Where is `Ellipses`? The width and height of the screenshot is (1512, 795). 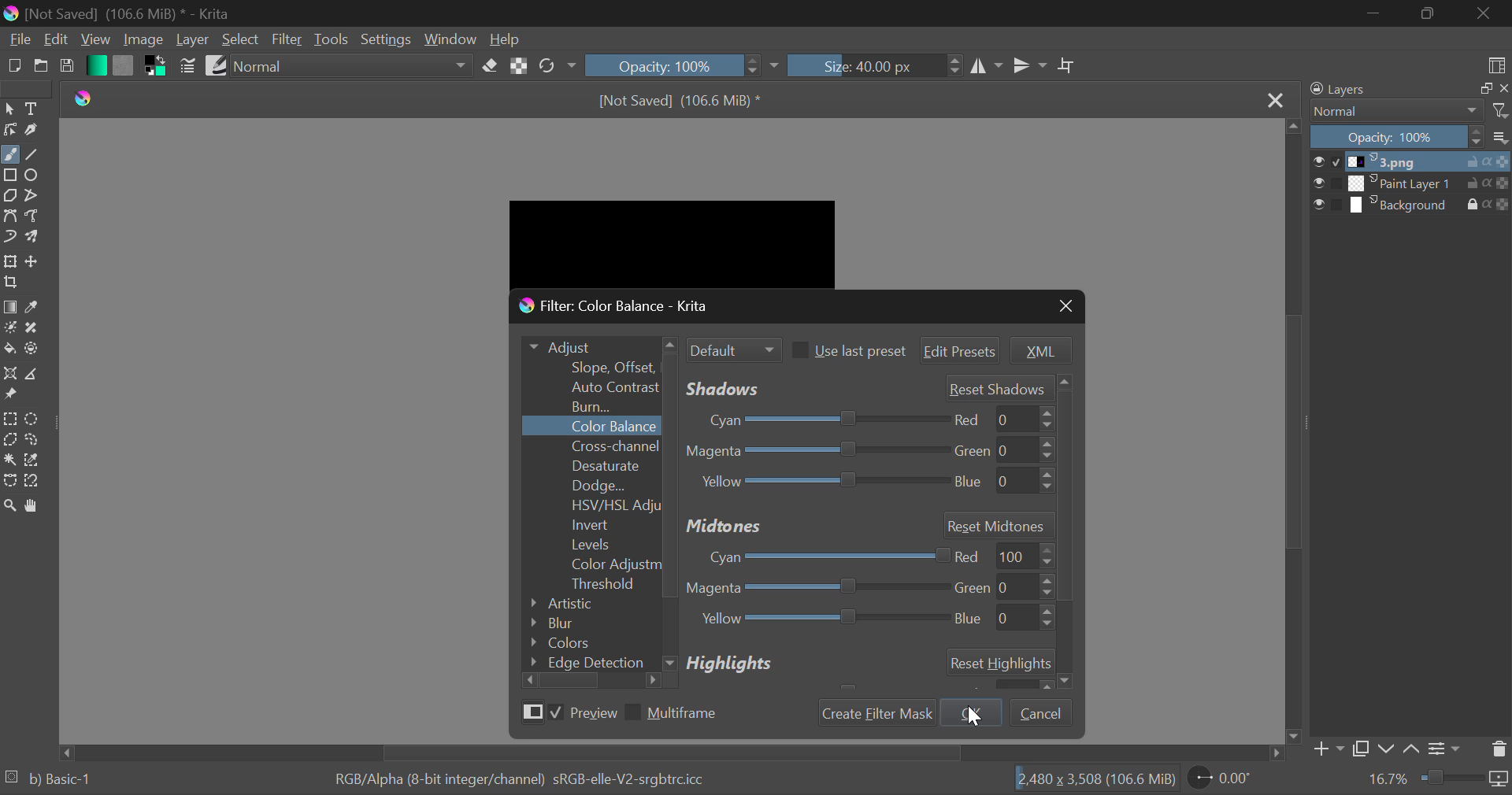
Ellipses is located at coordinates (35, 176).